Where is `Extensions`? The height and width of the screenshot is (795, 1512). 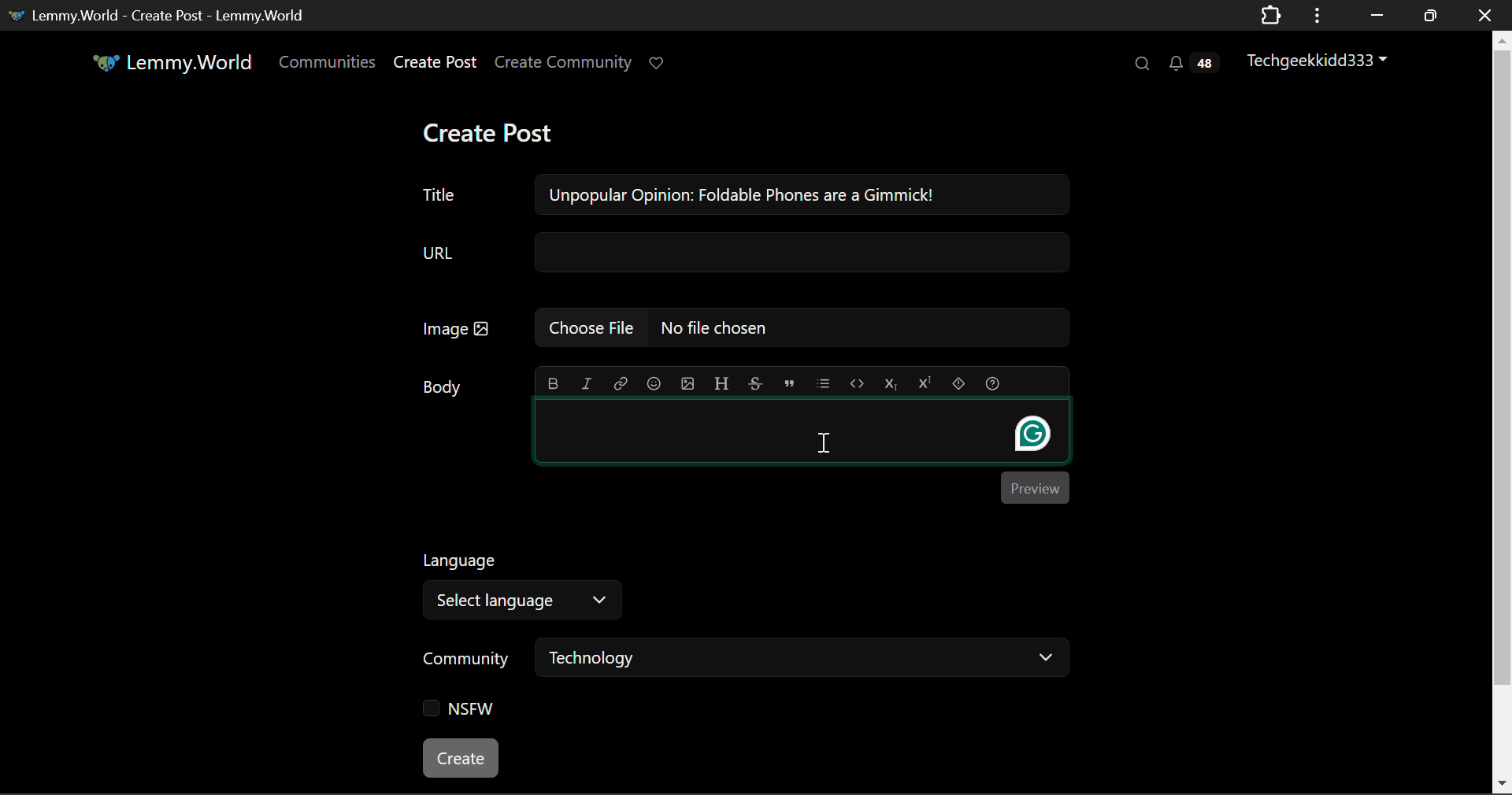
Extensions is located at coordinates (1270, 14).